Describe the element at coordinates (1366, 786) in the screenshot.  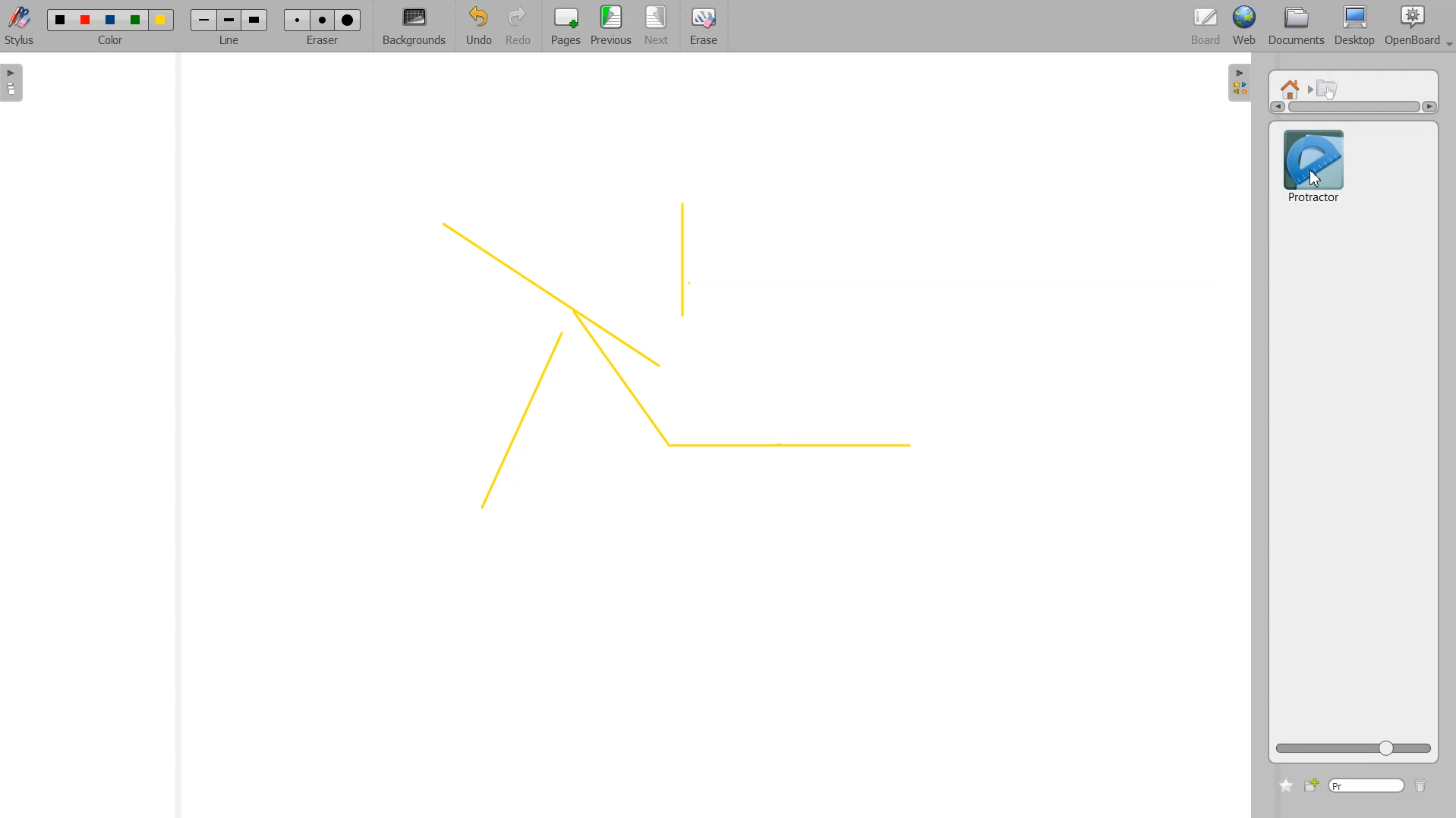
I see `Type window` at that location.